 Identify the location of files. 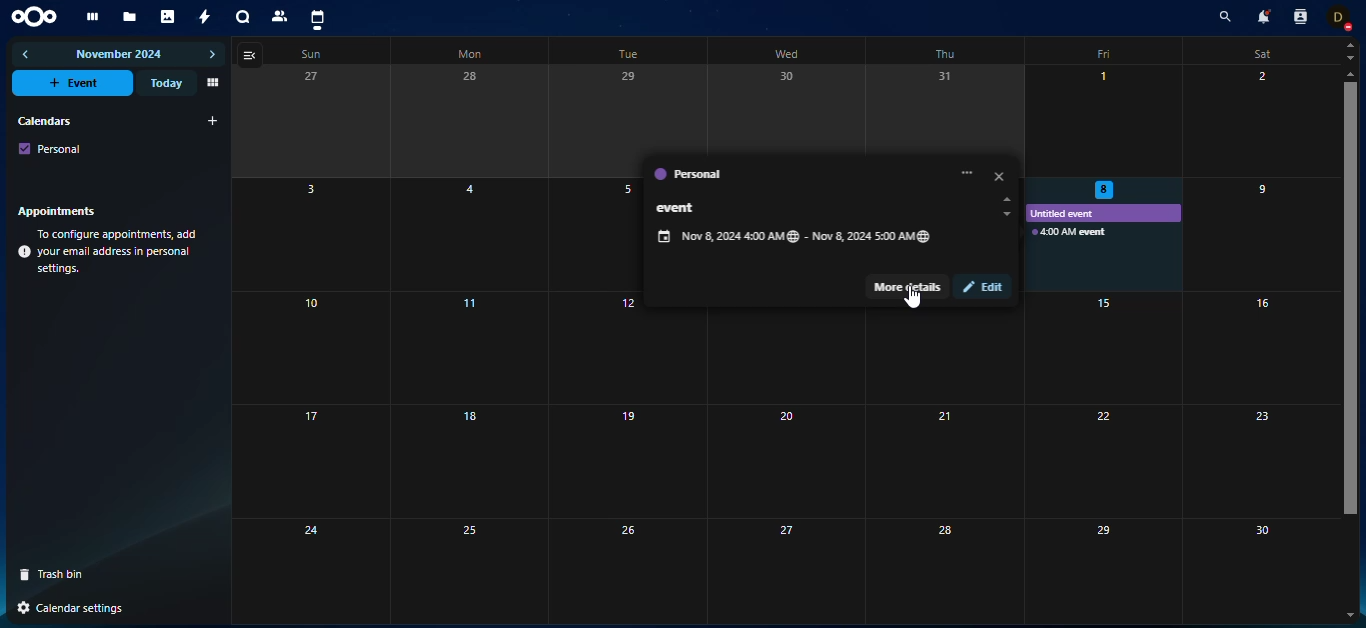
(130, 18).